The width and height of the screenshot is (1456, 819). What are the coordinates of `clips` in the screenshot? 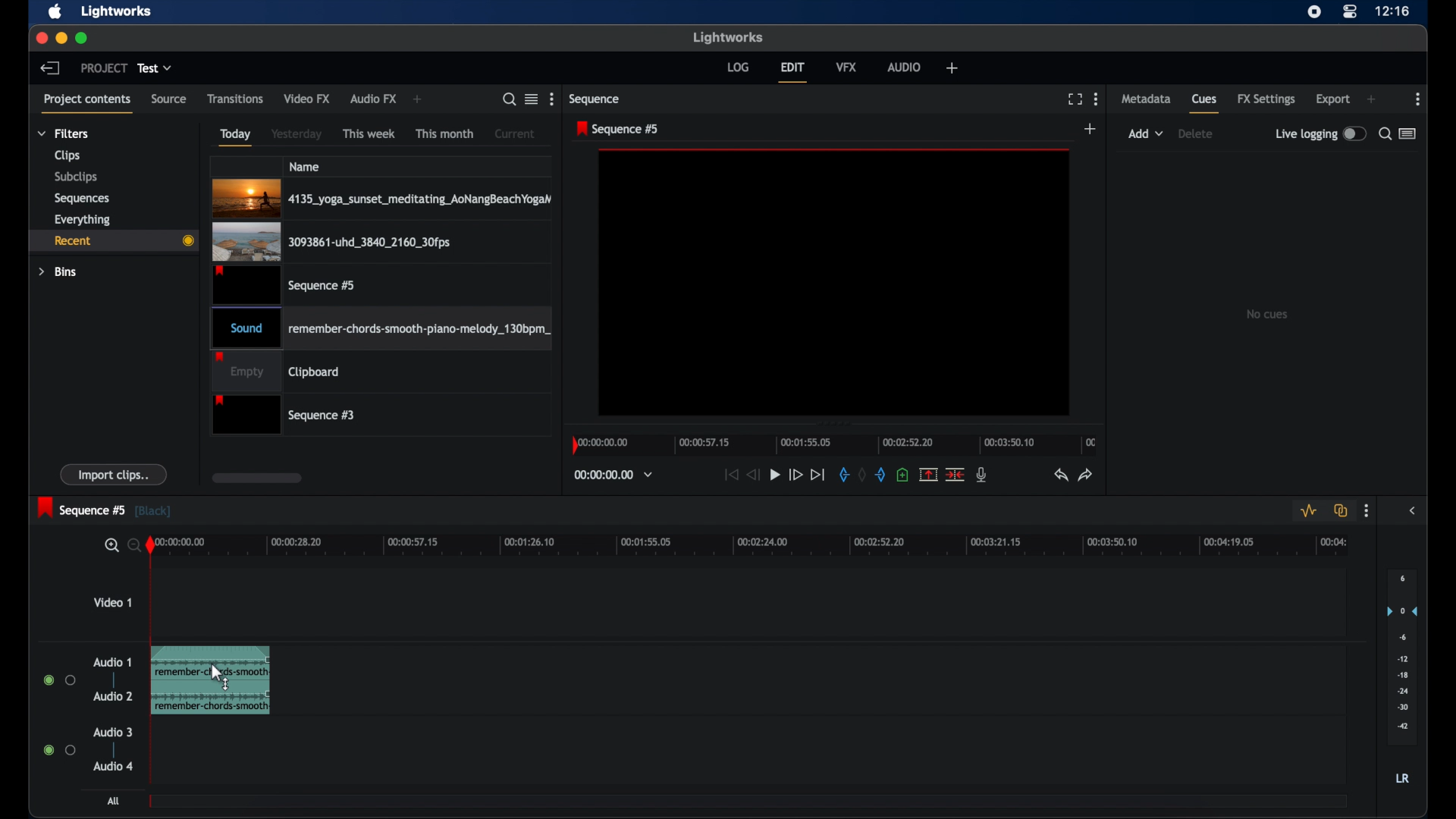 It's located at (68, 155).